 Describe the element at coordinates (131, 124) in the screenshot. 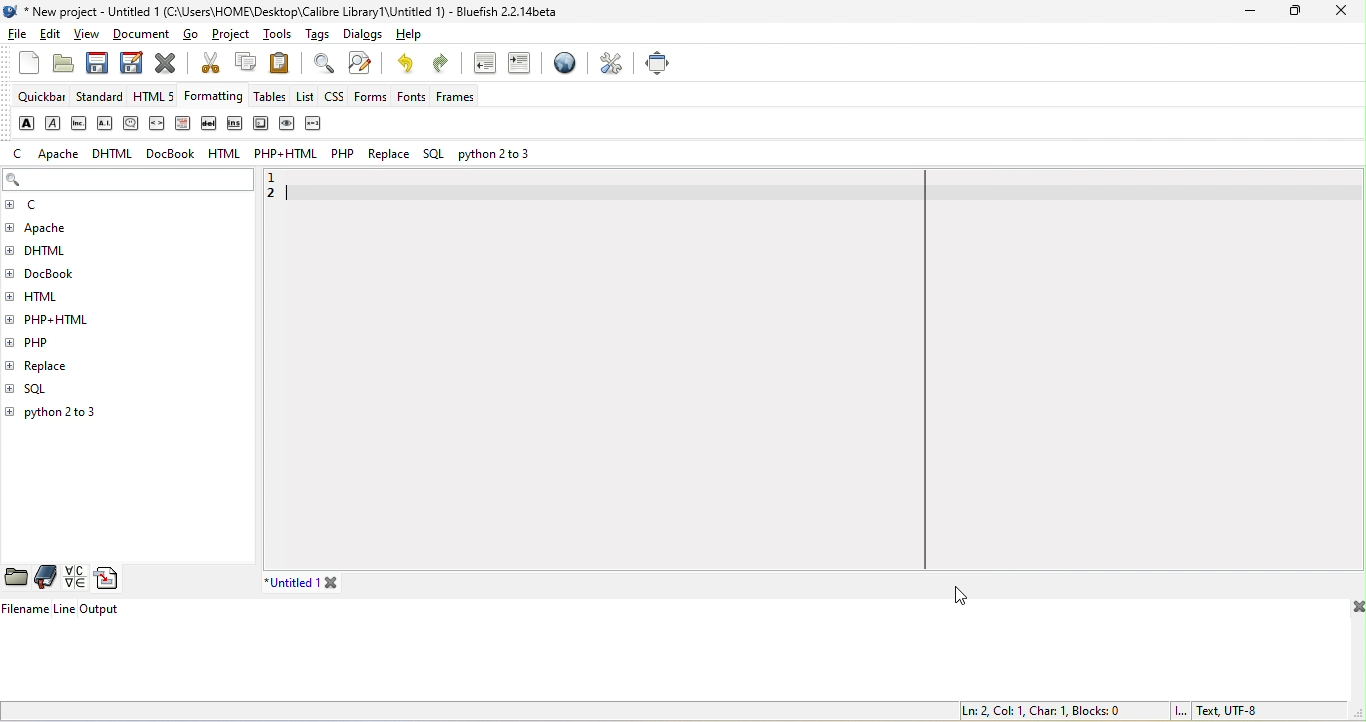

I see `citation` at that location.